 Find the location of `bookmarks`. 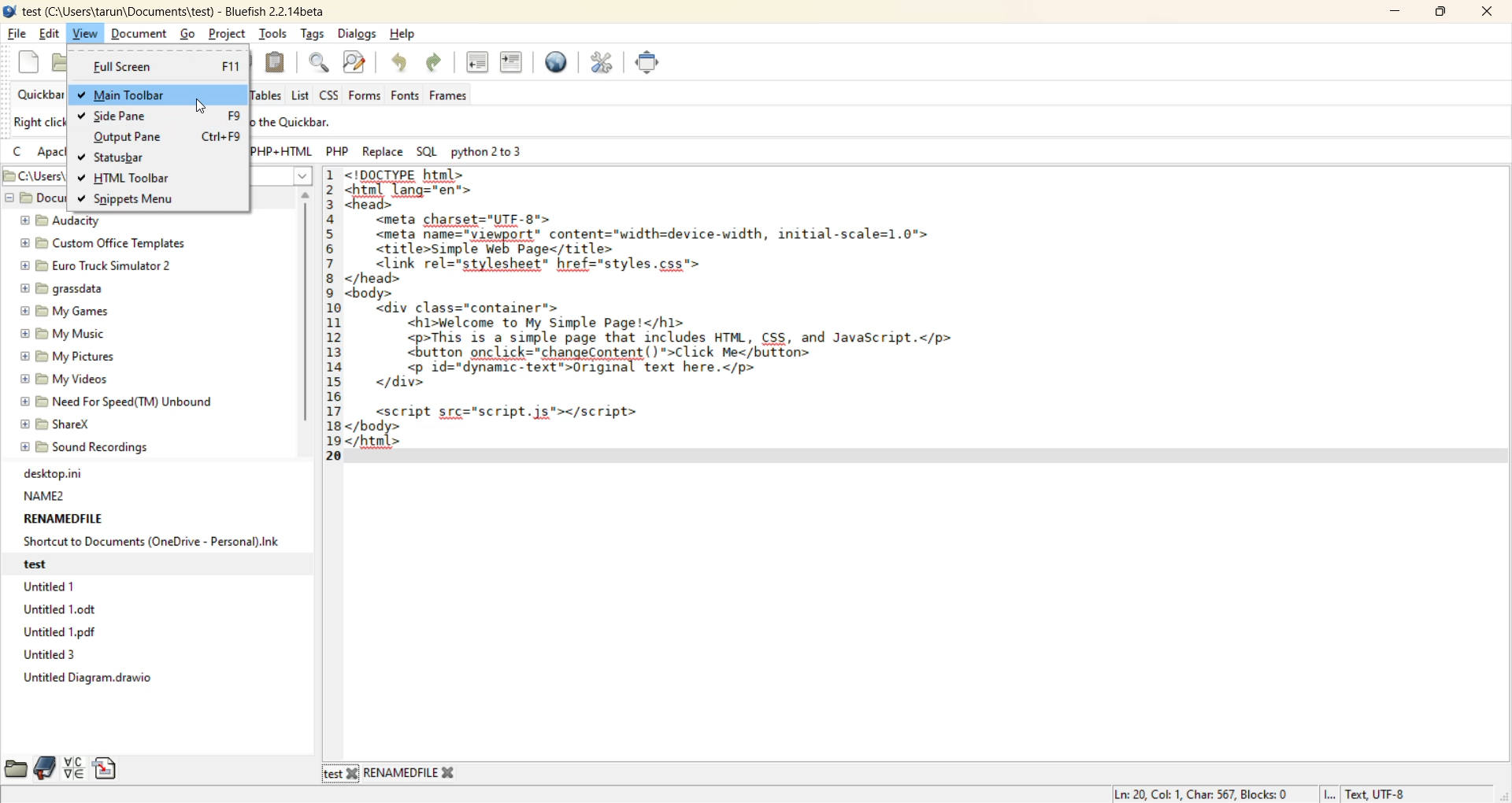

bookmarks is located at coordinates (46, 767).